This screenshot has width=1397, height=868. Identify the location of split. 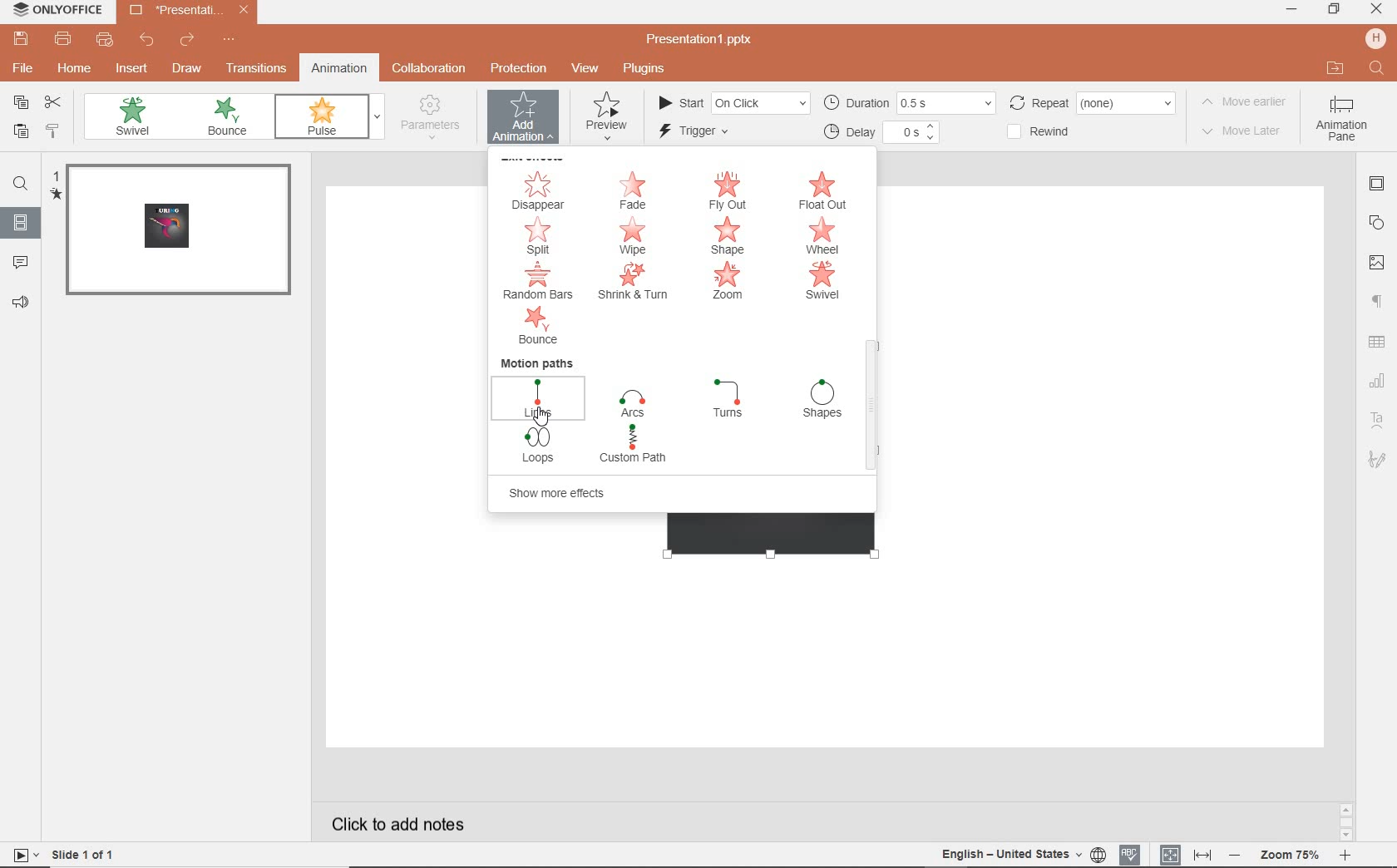
(536, 236).